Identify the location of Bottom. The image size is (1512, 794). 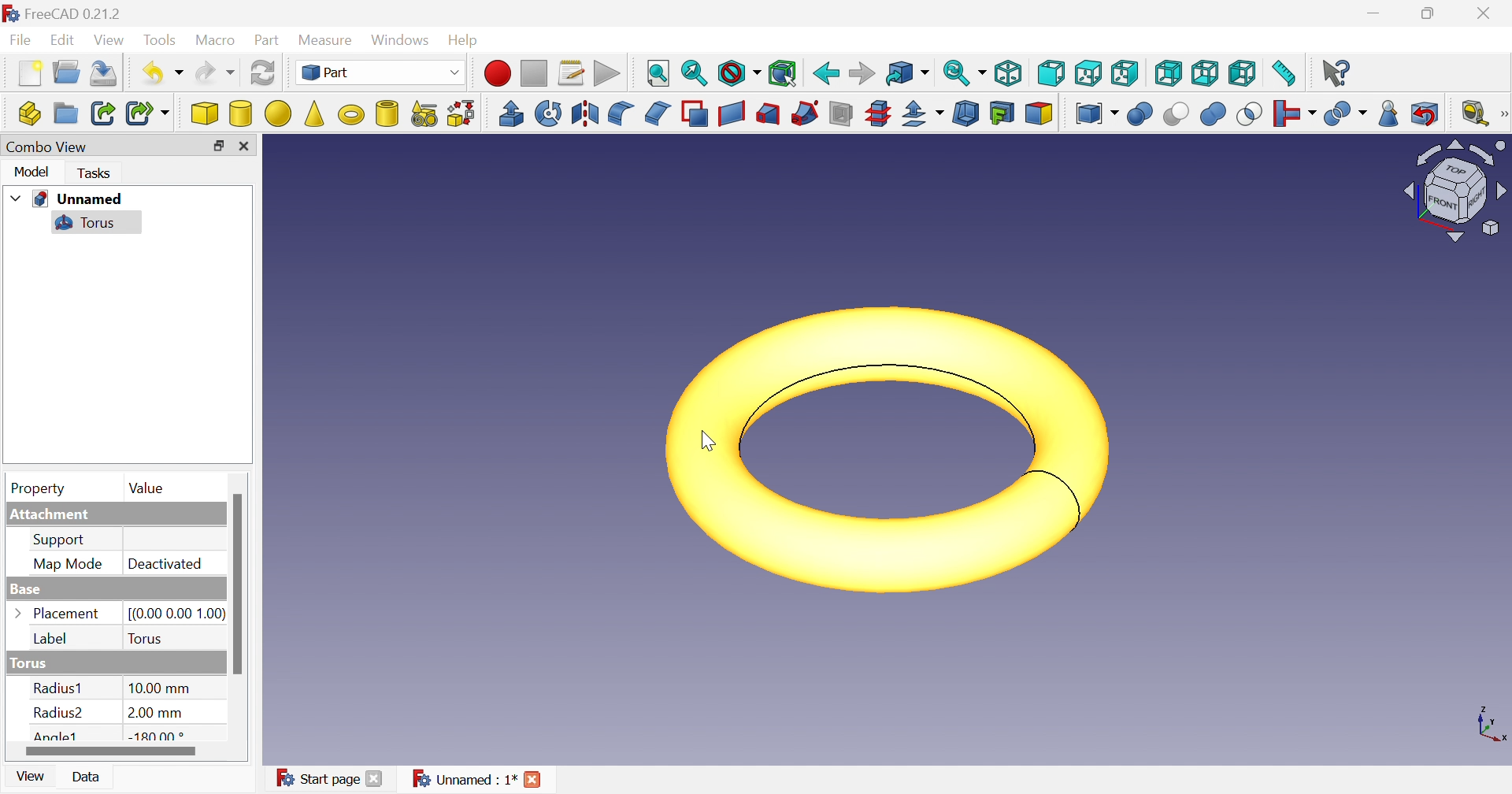
(1203, 74).